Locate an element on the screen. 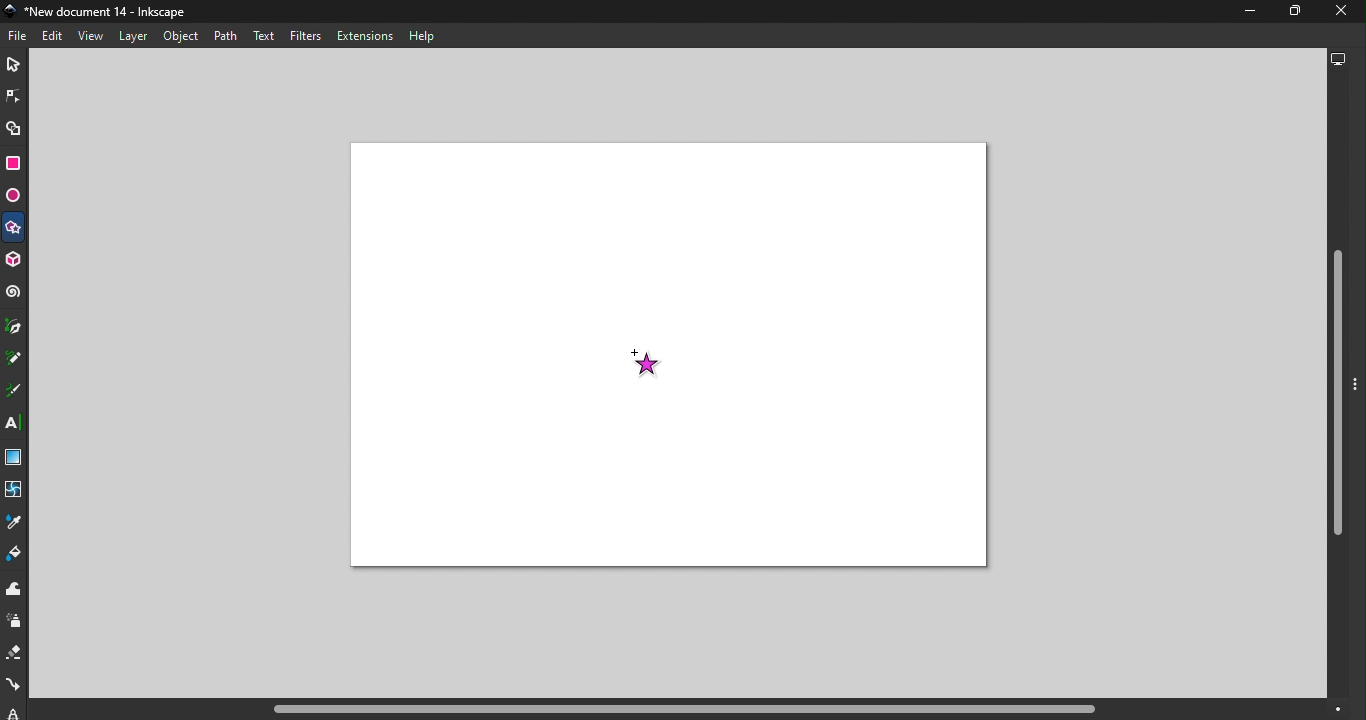  Path is located at coordinates (227, 35).